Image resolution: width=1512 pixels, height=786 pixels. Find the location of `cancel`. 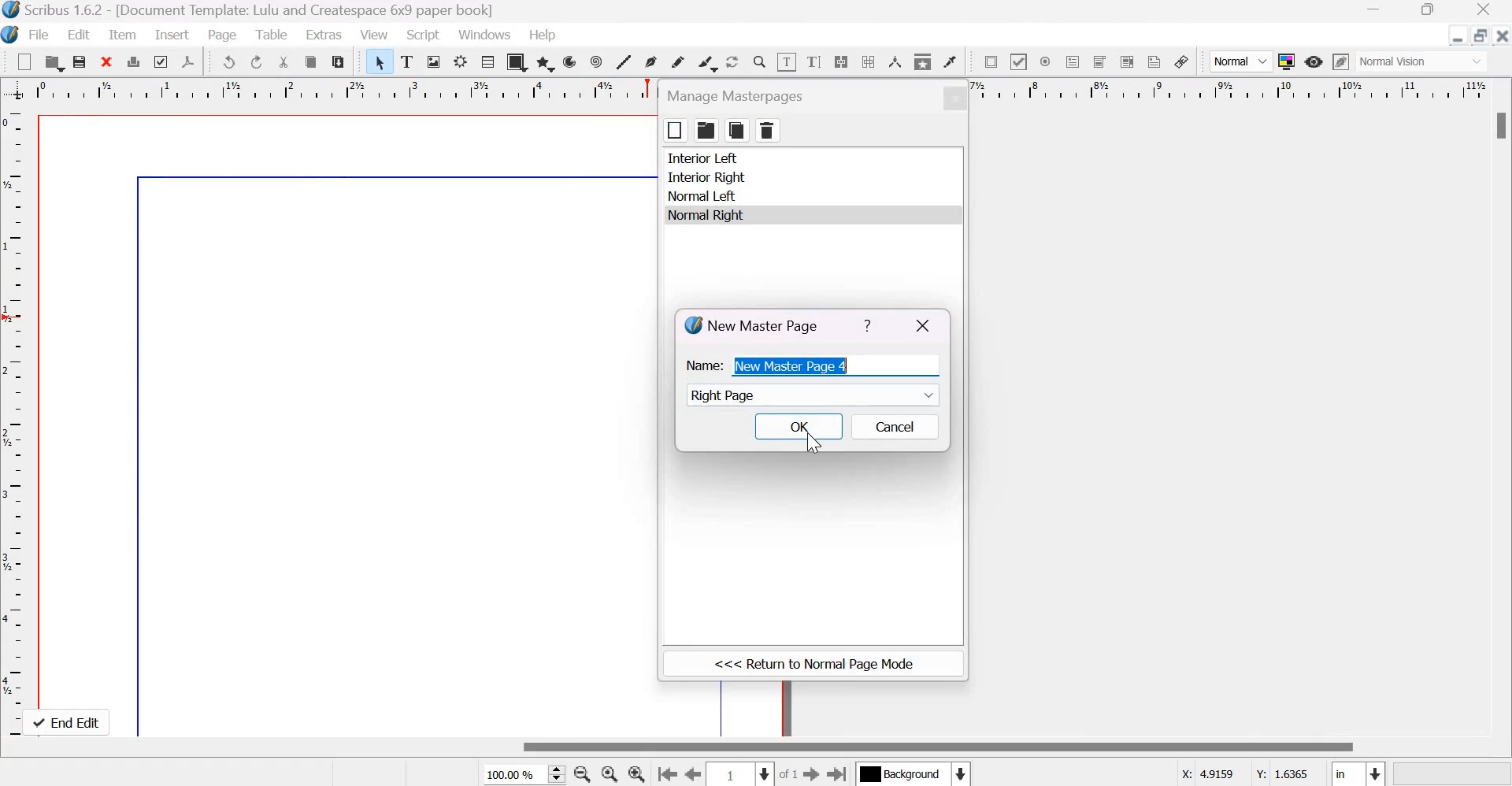

cancel is located at coordinates (895, 427).